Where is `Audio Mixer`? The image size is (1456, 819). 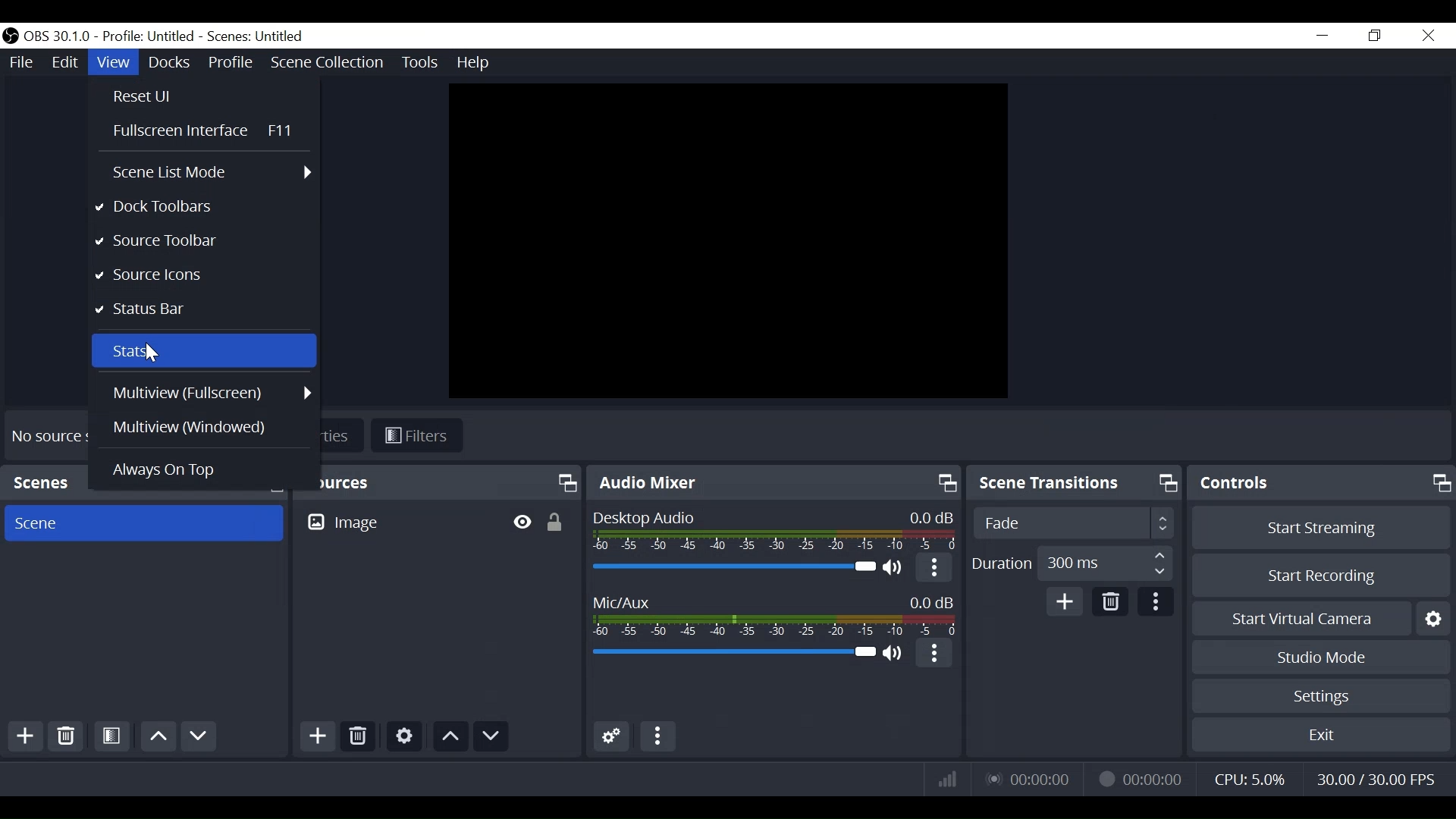
Audio Mixer is located at coordinates (775, 482).